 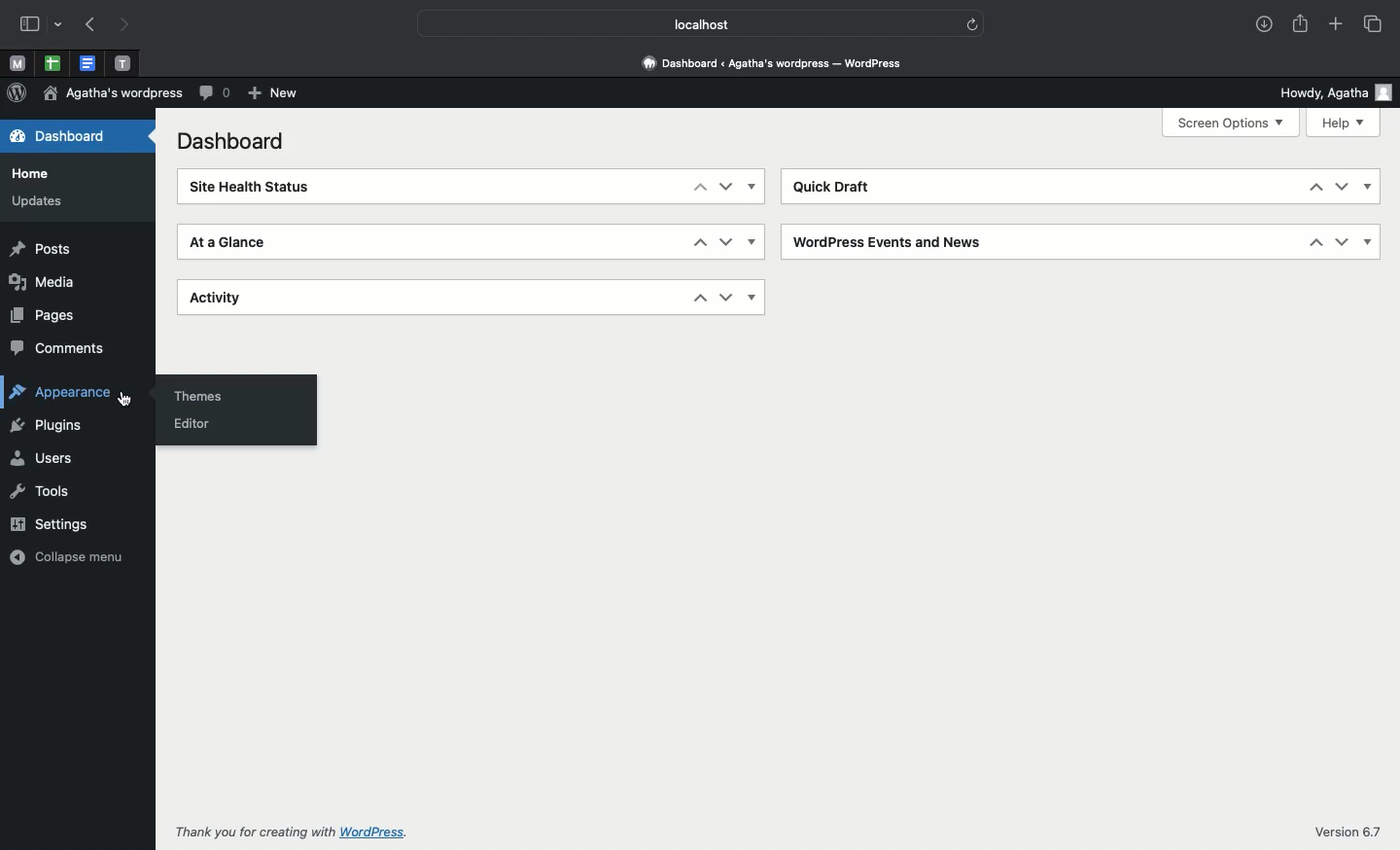 I want to click on Tabs, so click(x=1375, y=24).